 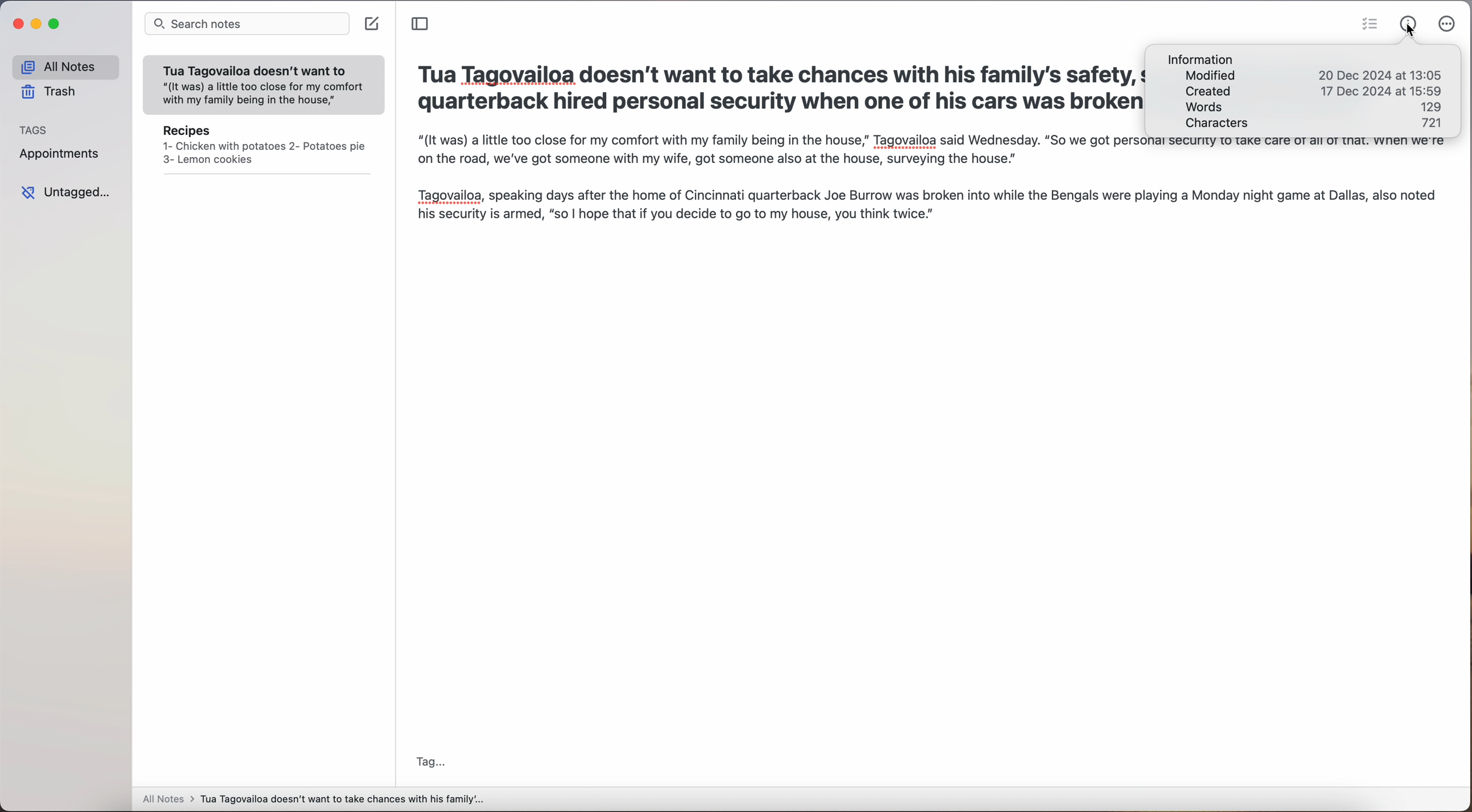 What do you see at coordinates (1305, 91) in the screenshot?
I see `Information
Modified 20 Dec 2024 at 13:05
Created 17 Dec 2024 at 15:59
Words 129
Characters 721` at bounding box center [1305, 91].